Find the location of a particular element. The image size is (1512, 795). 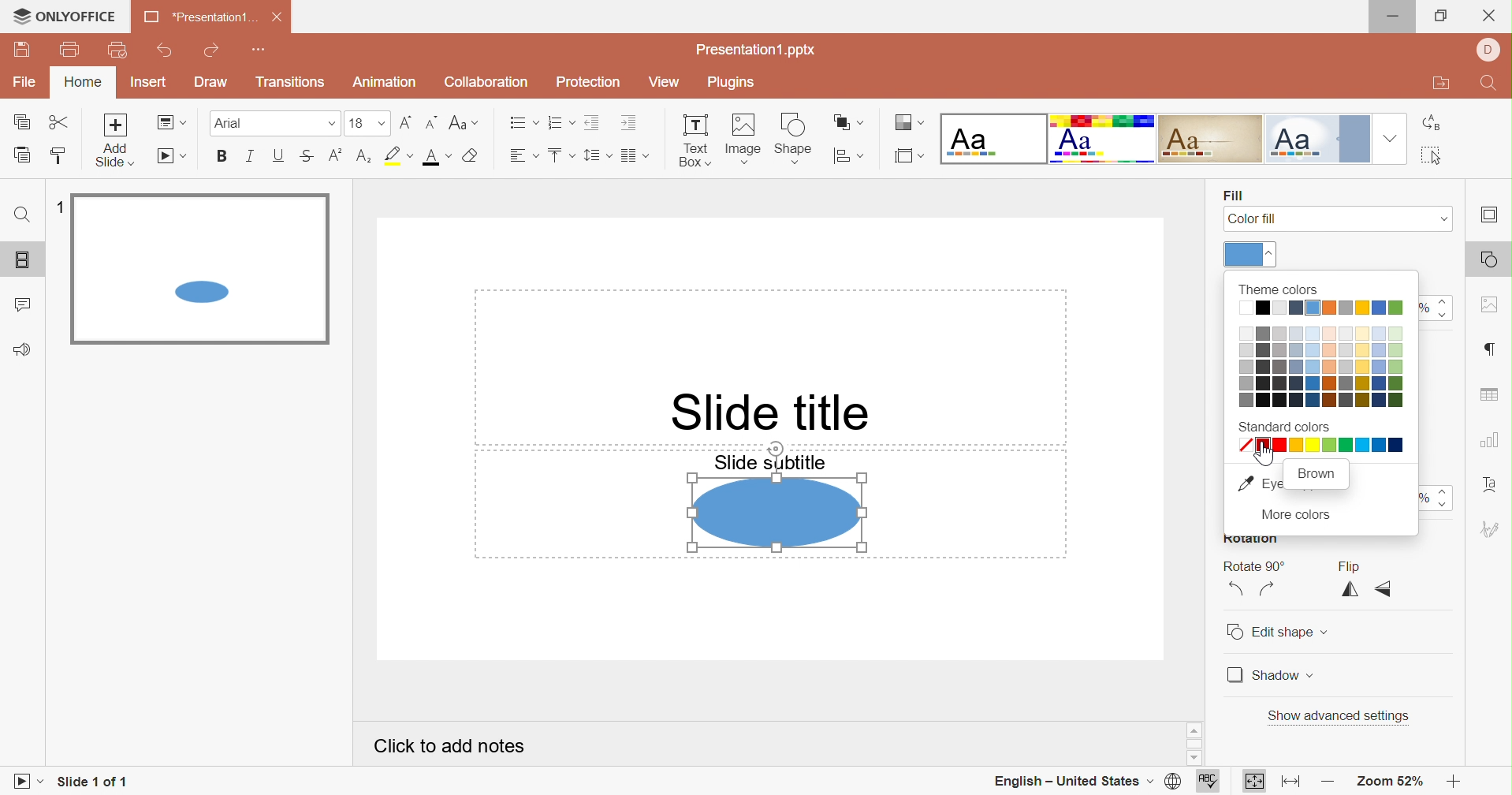

Copy style is located at coordinates (60, 155).